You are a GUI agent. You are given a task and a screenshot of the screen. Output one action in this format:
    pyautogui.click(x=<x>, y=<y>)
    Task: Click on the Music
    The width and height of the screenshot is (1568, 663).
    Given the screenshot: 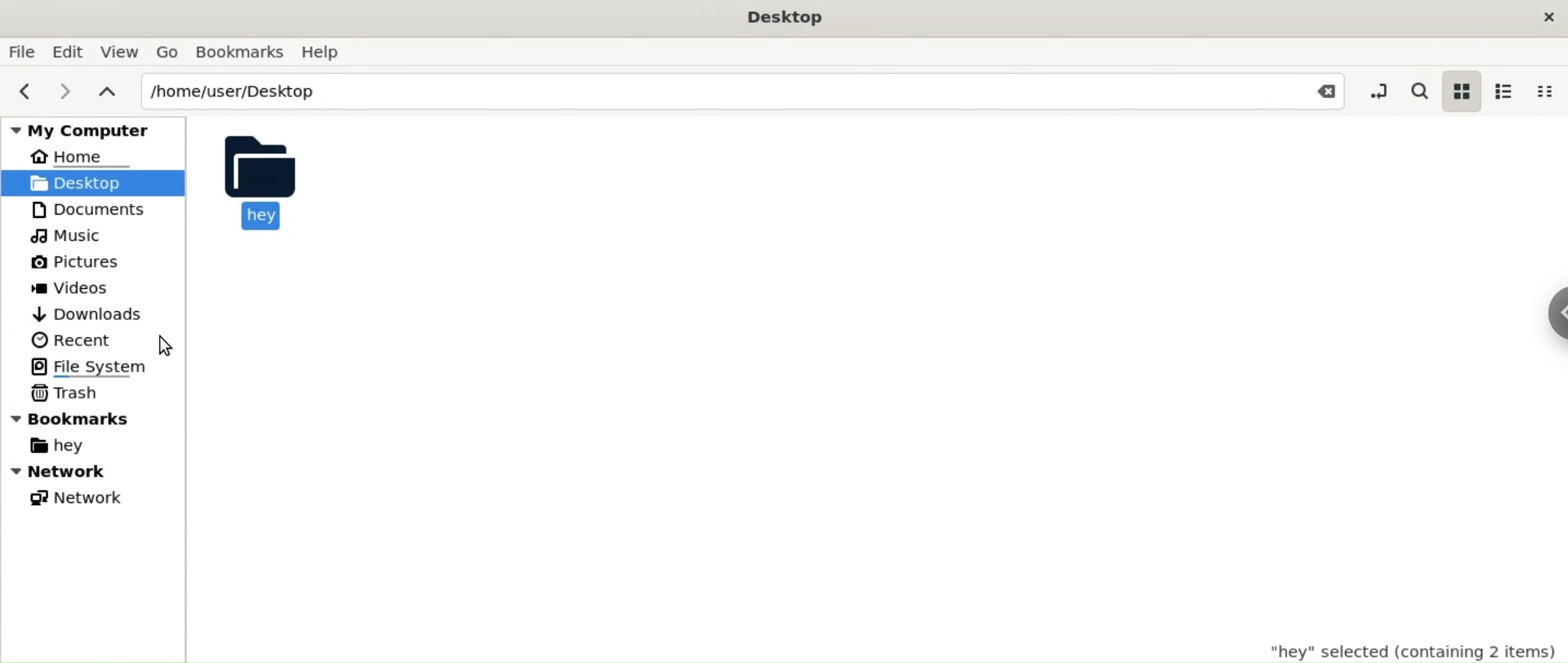 What is the action you would take?
    pyautogui.click(x=70, y=236)
    